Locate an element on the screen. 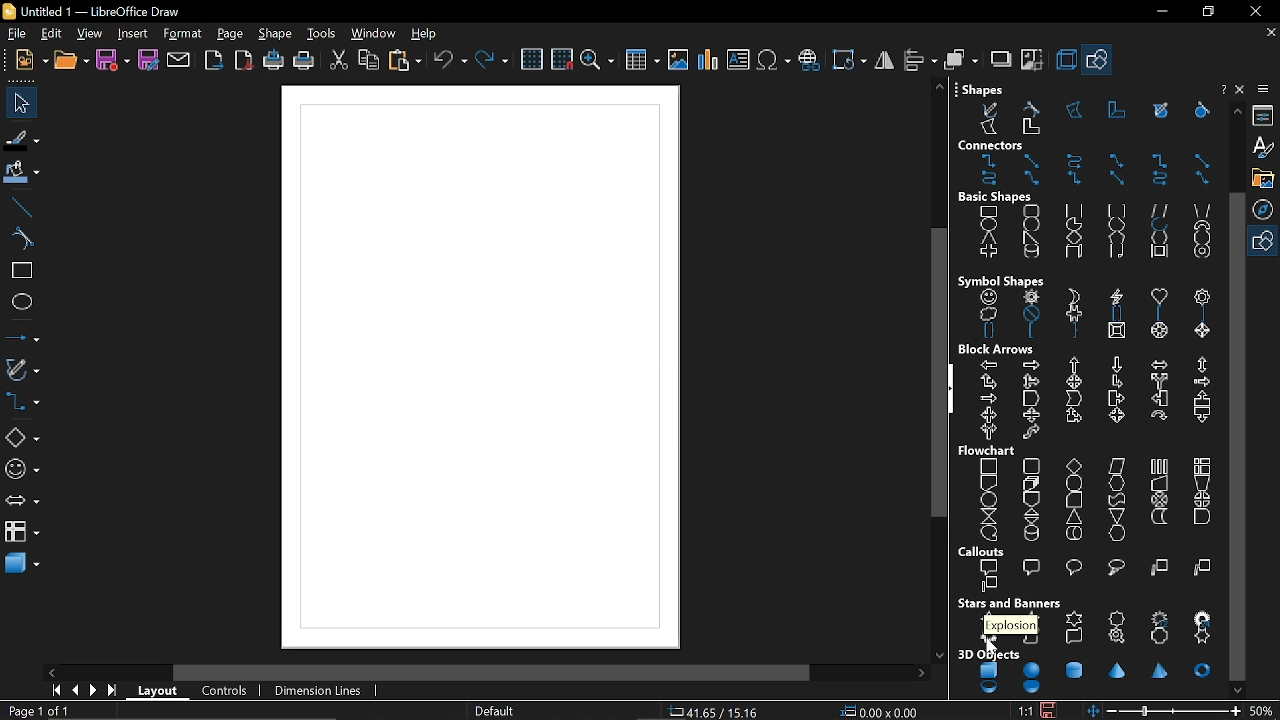 This screenshot has width=1280, height=720. Navigator is located at coordinates (1266, 209).